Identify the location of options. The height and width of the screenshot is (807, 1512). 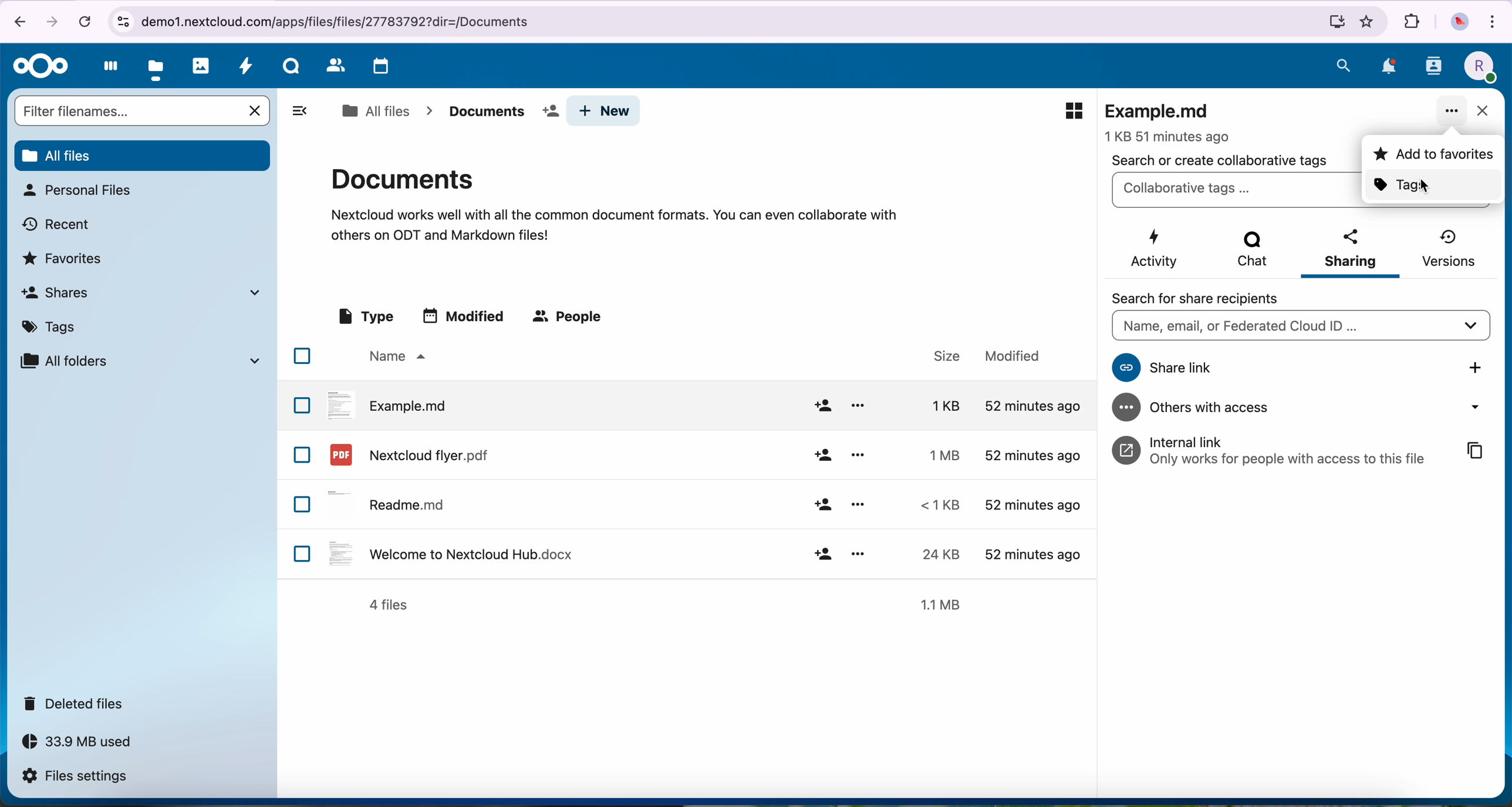
(859, 504).